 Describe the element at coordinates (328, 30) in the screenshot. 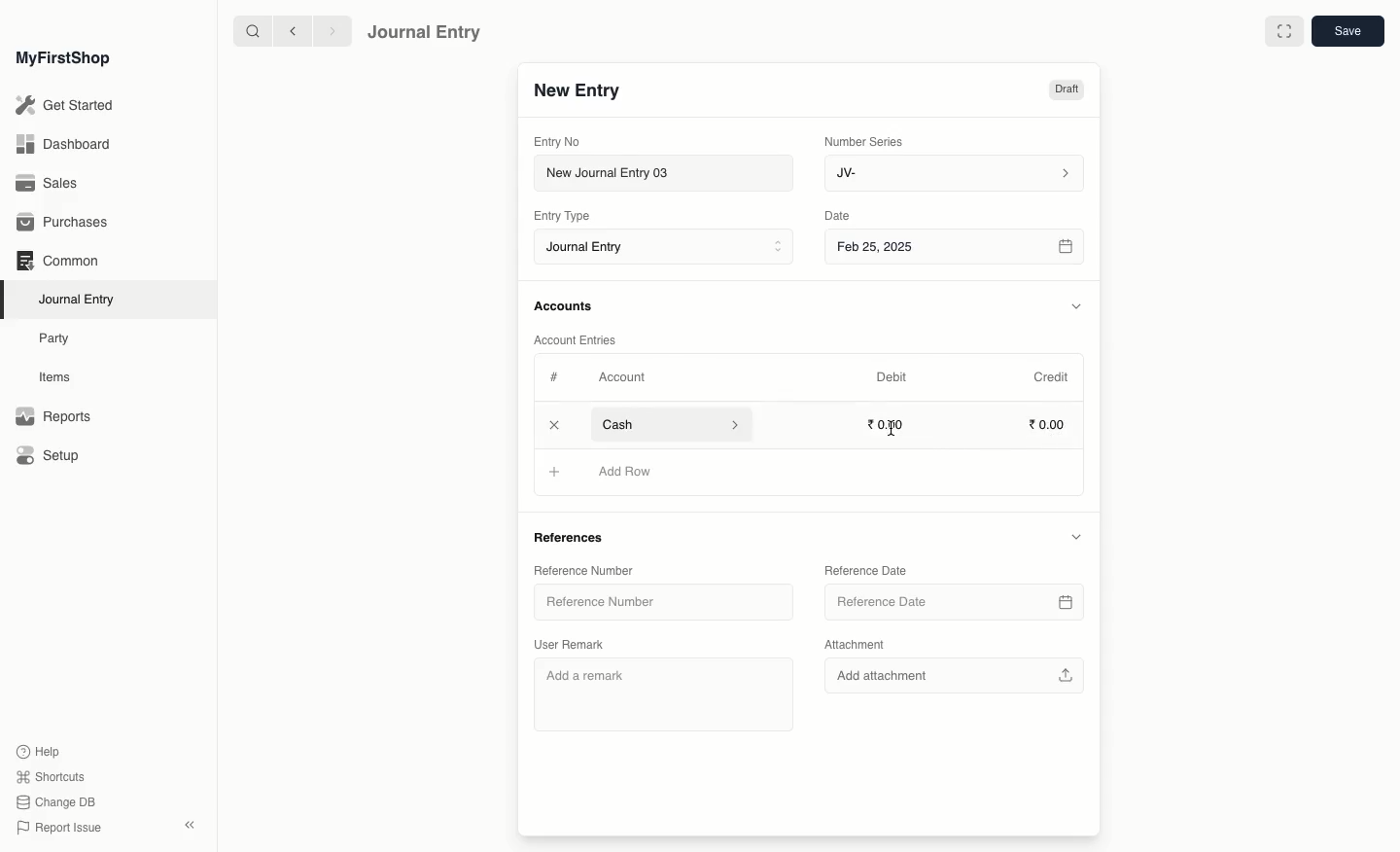

I see `forward >` at that location.